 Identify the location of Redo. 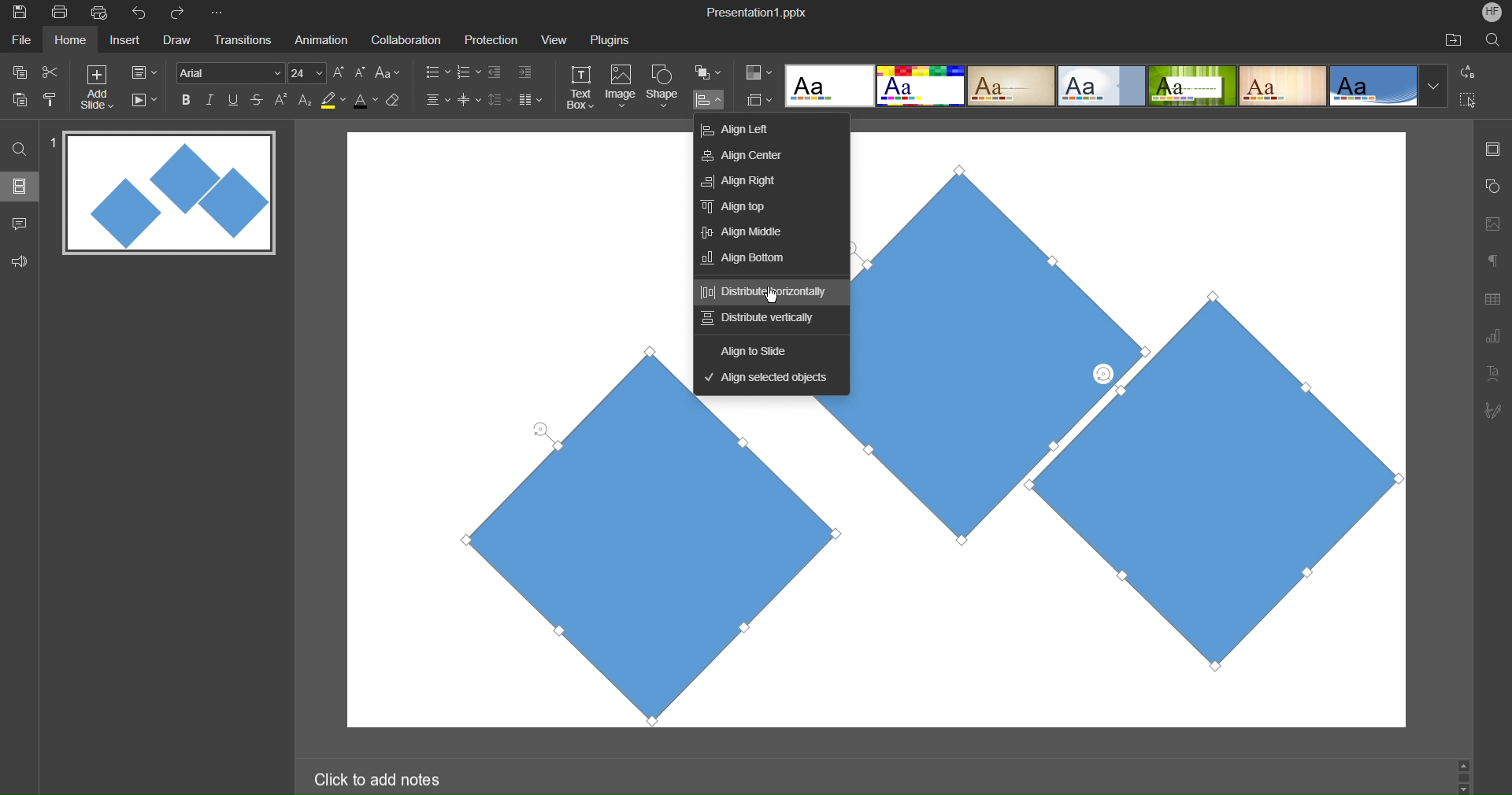
(183, 13).